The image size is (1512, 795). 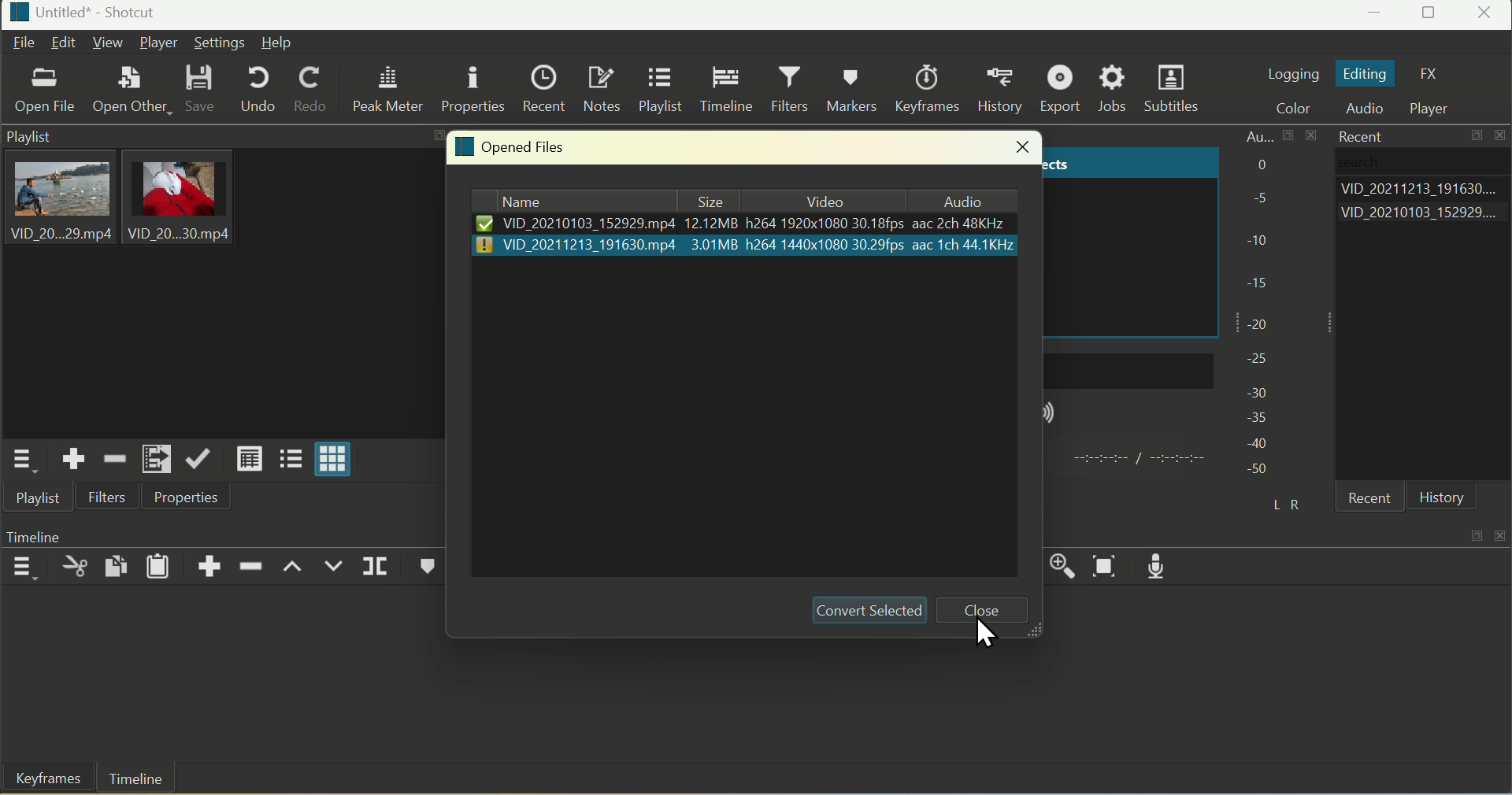 What do you see at coordinates (277, 43) in the screenshot?
I see `Help` at bounding box center [277, 43].